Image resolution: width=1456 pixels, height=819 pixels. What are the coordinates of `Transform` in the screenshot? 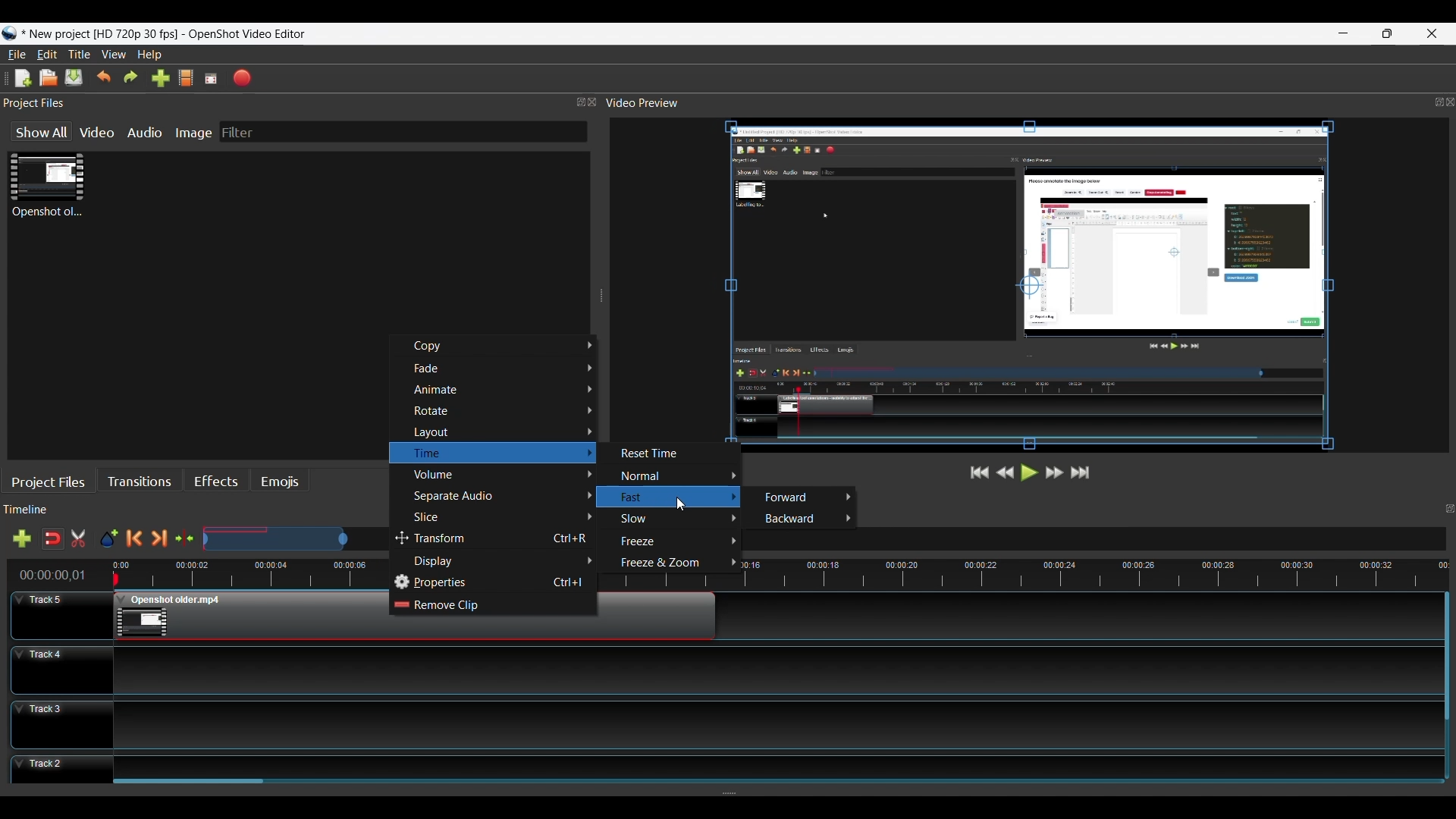 It's located at (494, 540).